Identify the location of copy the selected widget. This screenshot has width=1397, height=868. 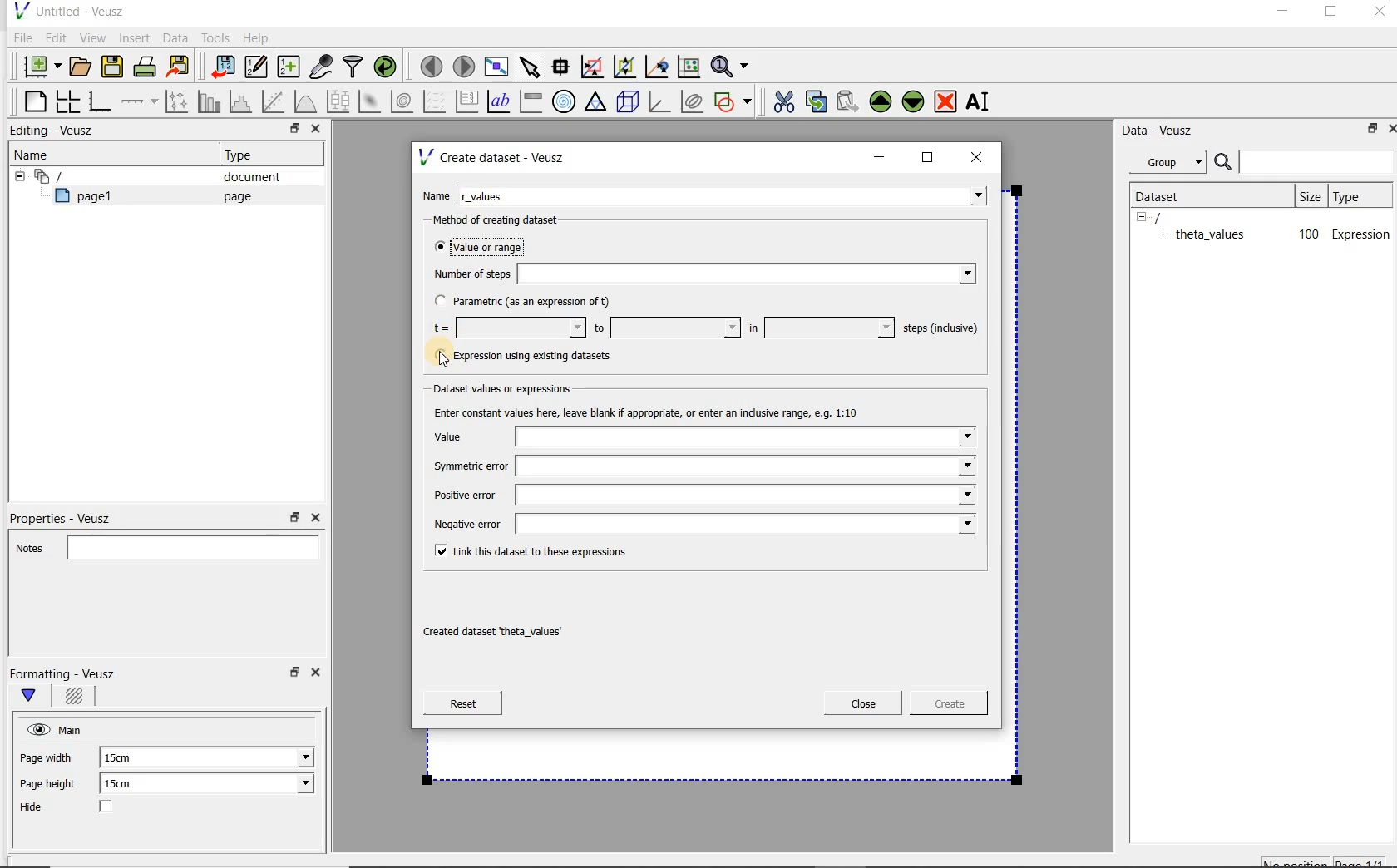
(817, 101).